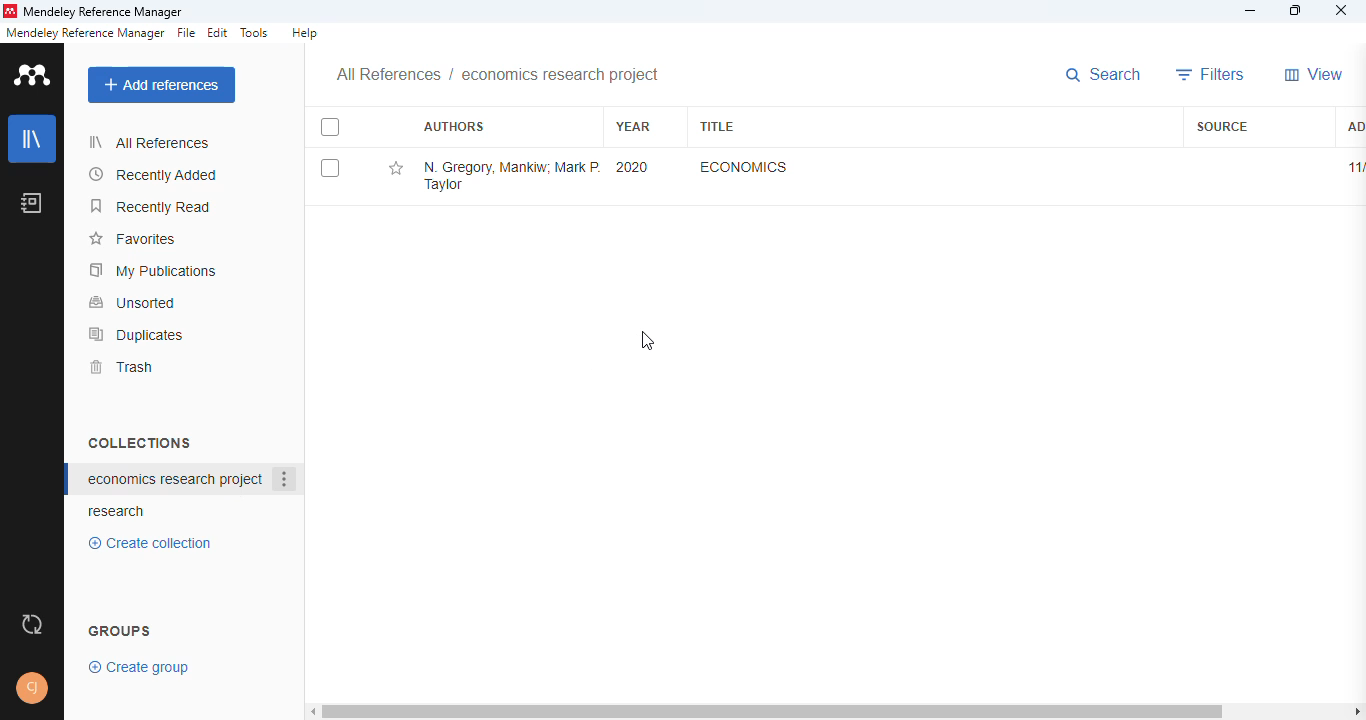 This screenshot has height=720, width=1366. What do you see at coordinates (1341, 12) in the screenshot?
I see `close` at bounding box center [1341, 12].